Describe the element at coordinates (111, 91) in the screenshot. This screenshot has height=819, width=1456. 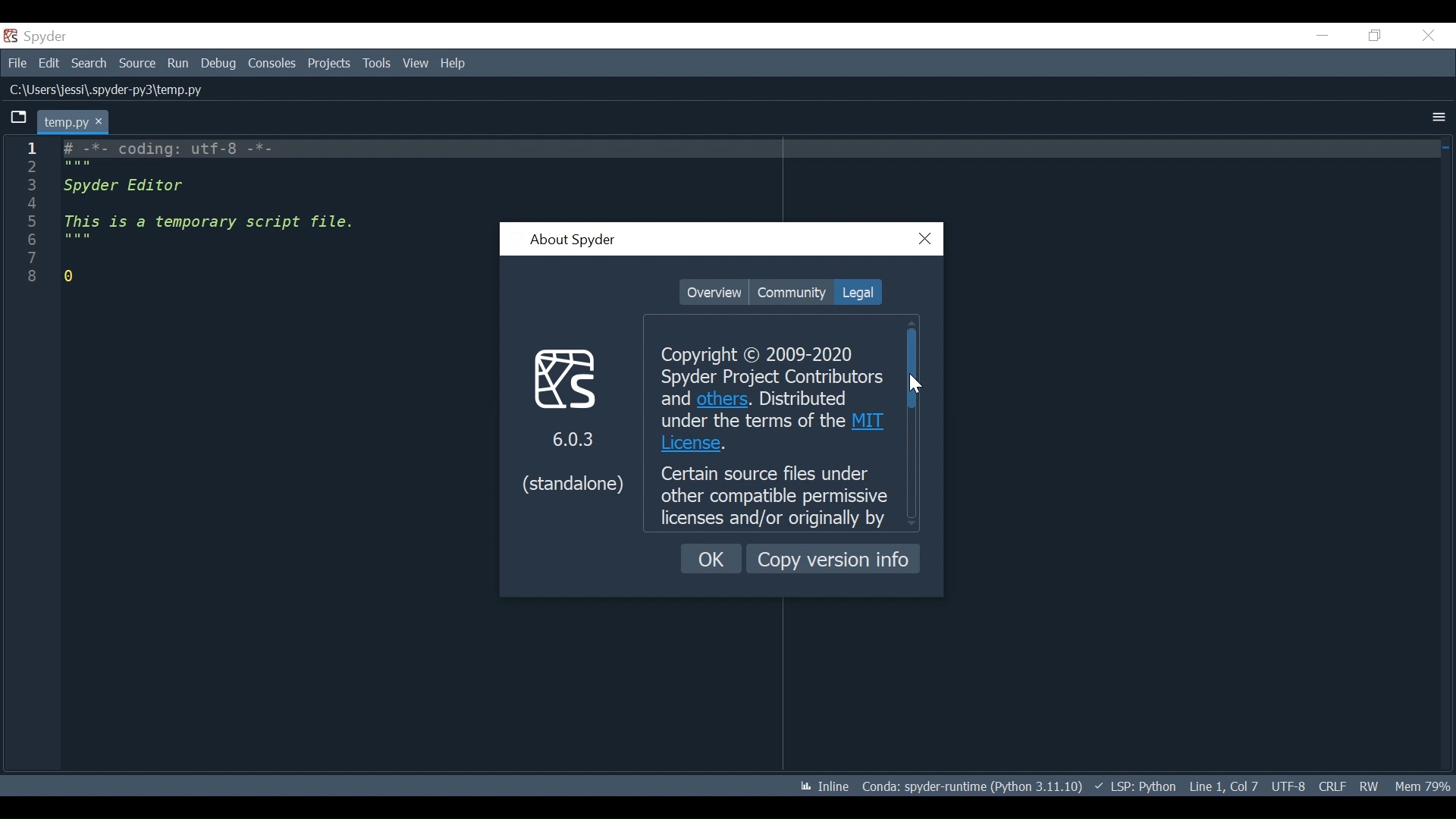
I see `C:\Users\jessi\.spyder-py3\temp.py` at that location.